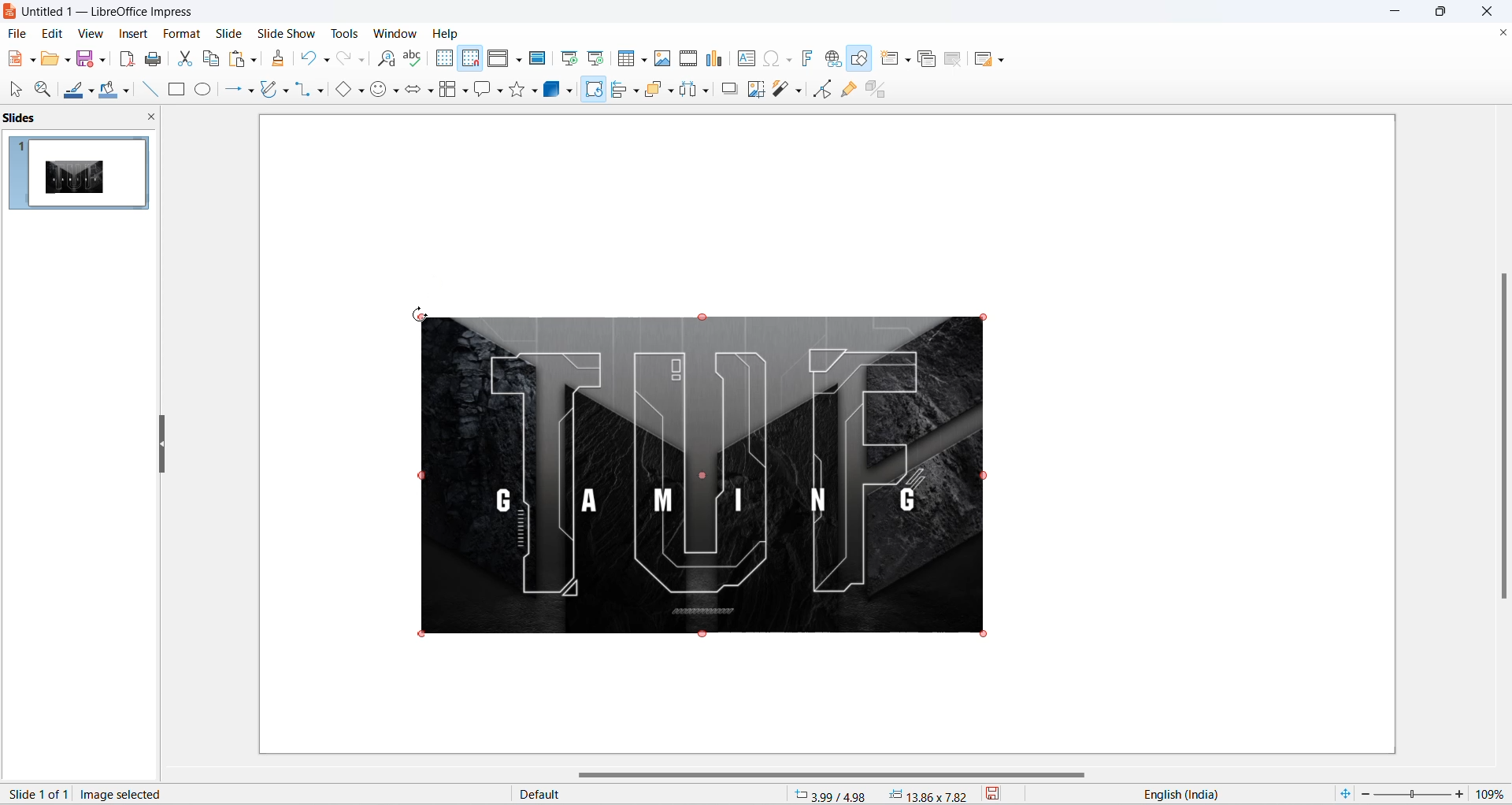  What do you see at coordinates (318, 90) in the screenshot?
I see `connectors options` at bounding box center [318, 90].